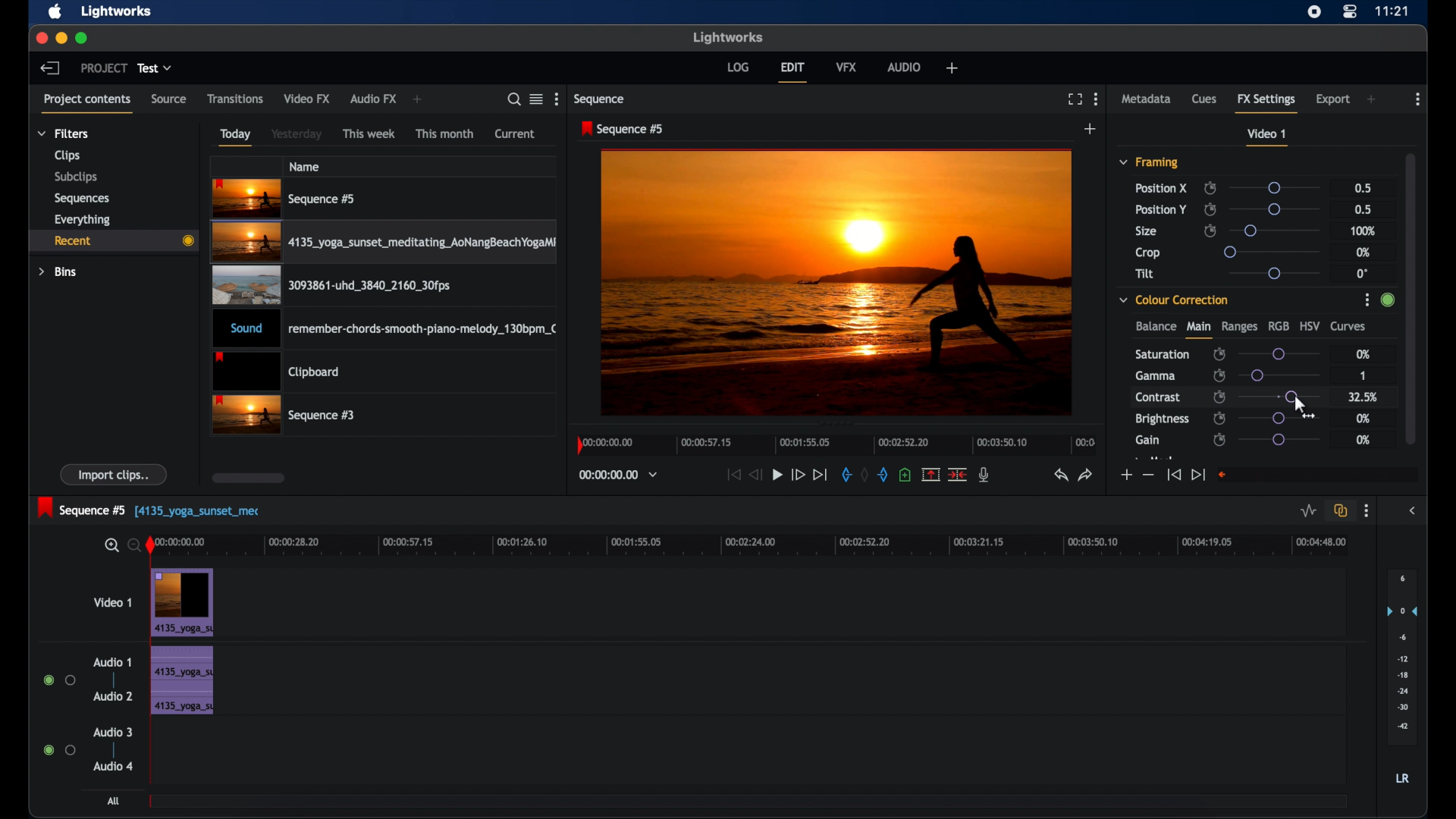 The width and height of the screenshot is (1456, 819). What do you see at coordinates (730, 37) in the screenshot?
I see `lightworks` at bounding box center [730, 37].